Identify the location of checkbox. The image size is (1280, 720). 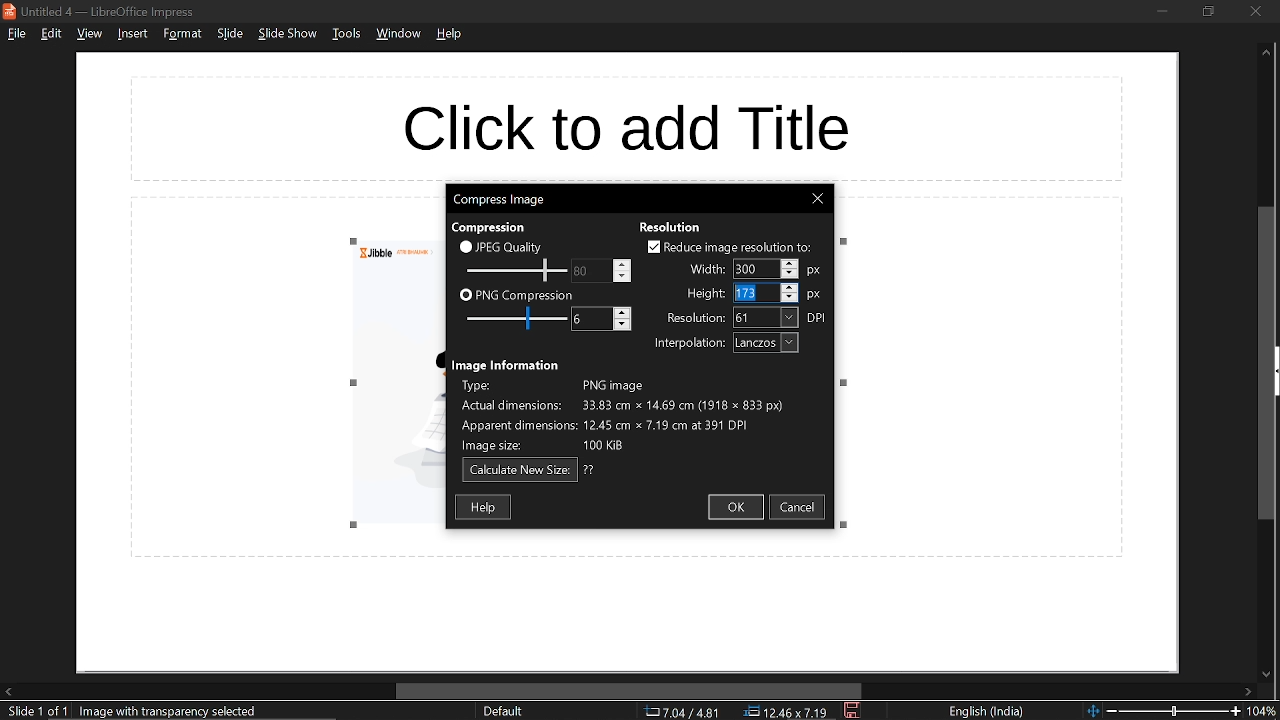
(465, 296).